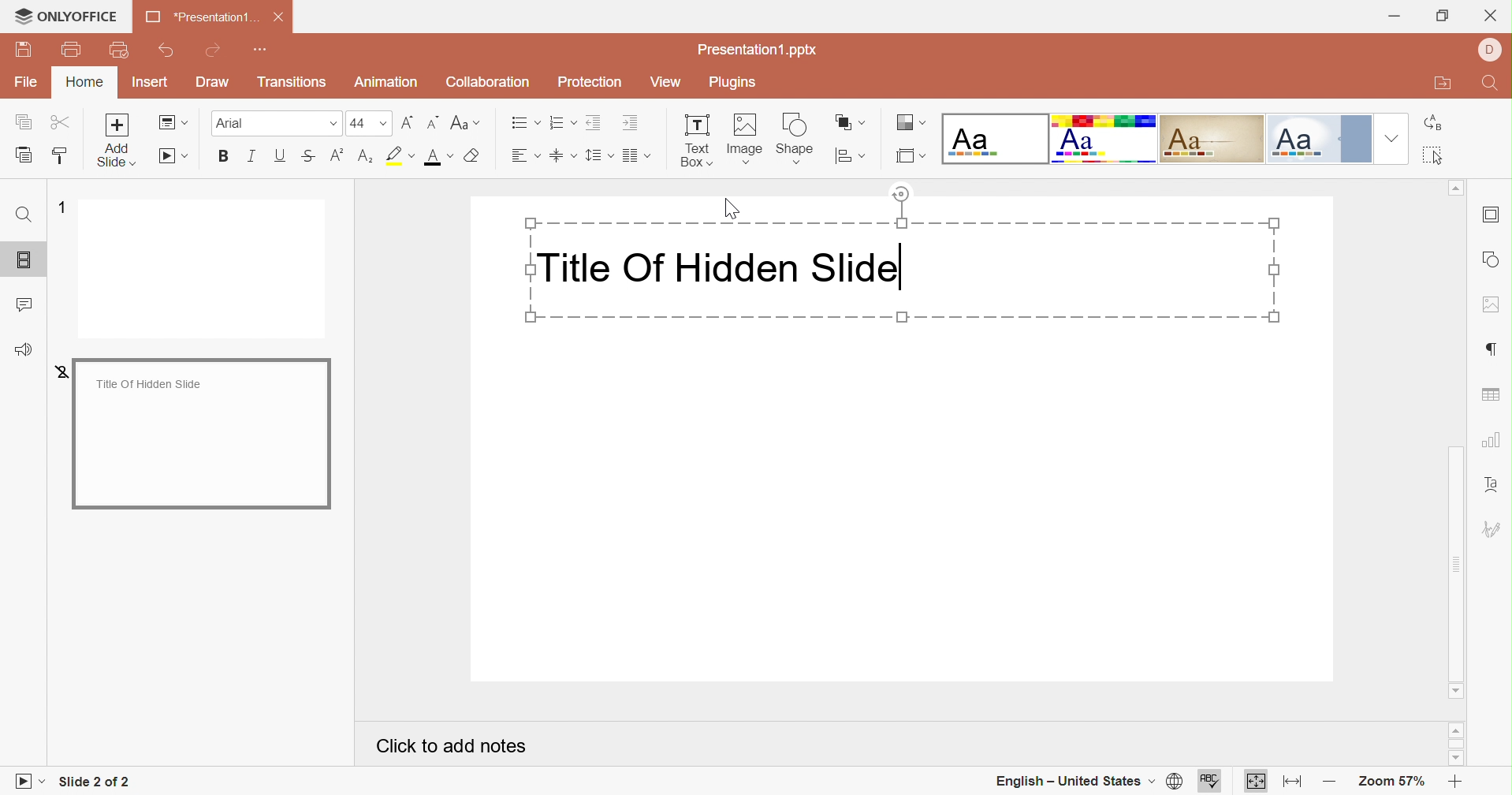 This screenshot has height=795, width=1512. I want to click on Chart settings, so click(1493, 444).